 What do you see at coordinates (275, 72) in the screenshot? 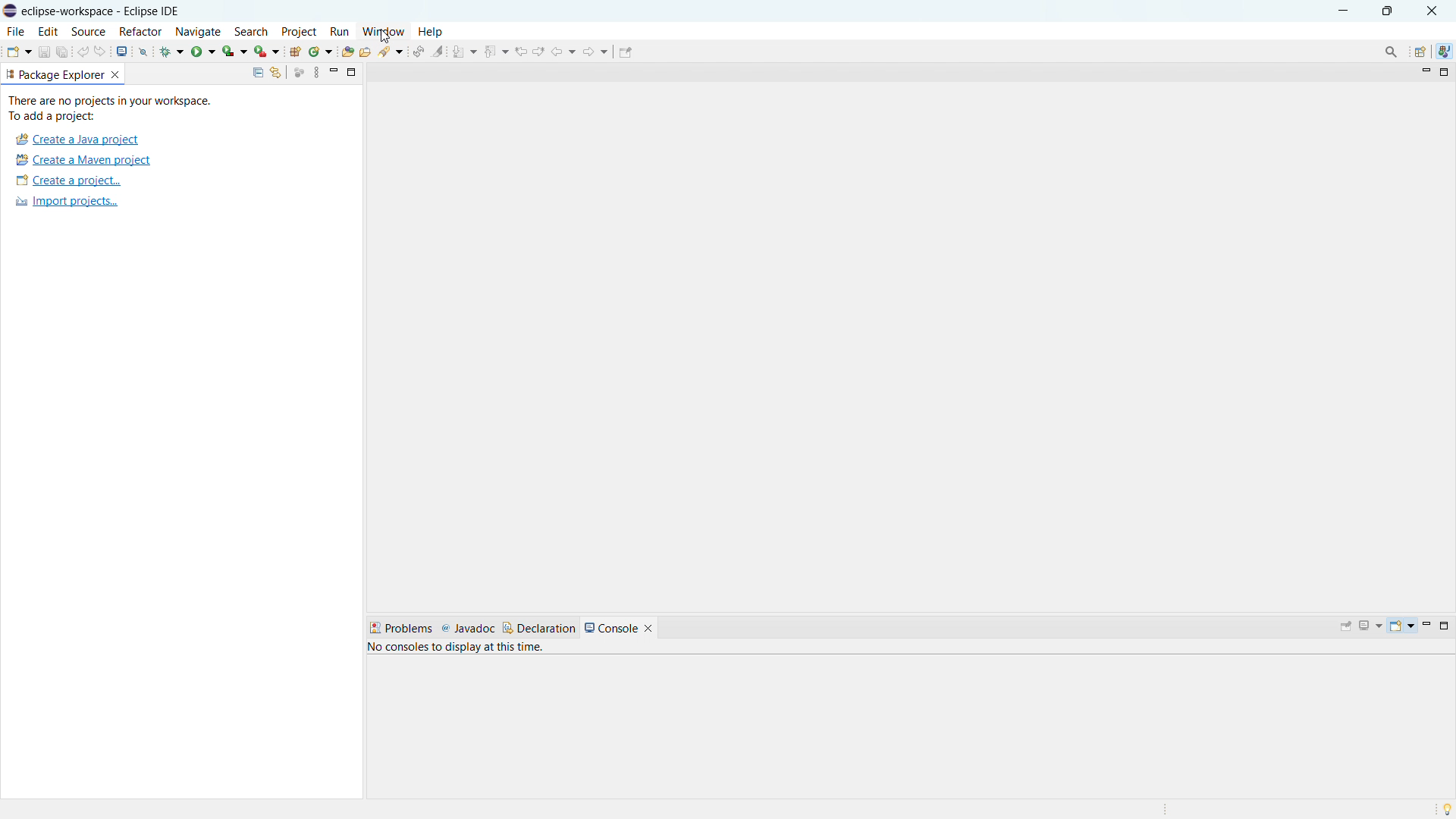
I see `link with editor` at bounding box center [275, 72].